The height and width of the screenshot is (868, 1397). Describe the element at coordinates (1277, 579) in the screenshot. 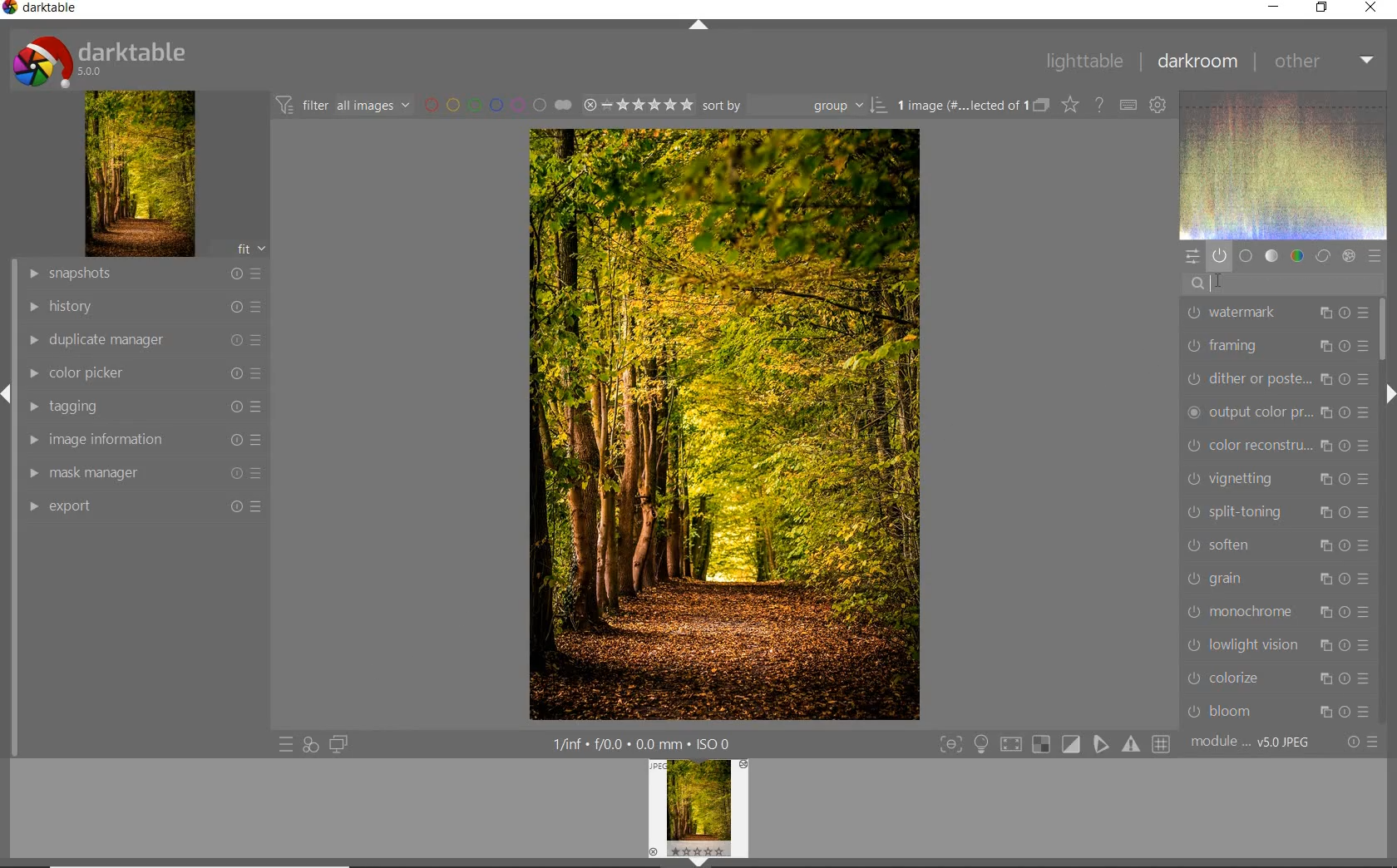

I see `grain` at that location.